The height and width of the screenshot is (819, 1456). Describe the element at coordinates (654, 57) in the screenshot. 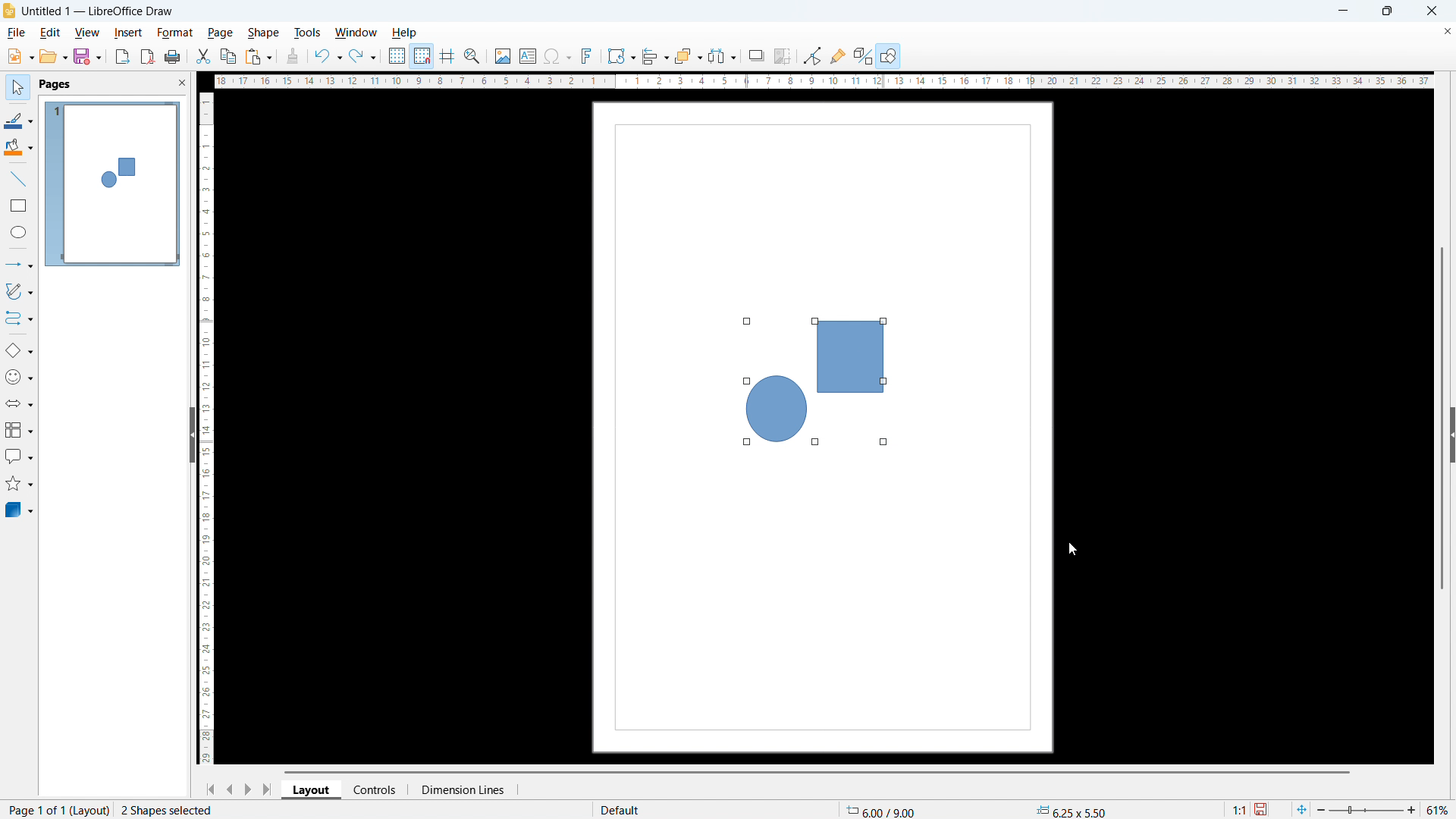

I see `align` at that location.